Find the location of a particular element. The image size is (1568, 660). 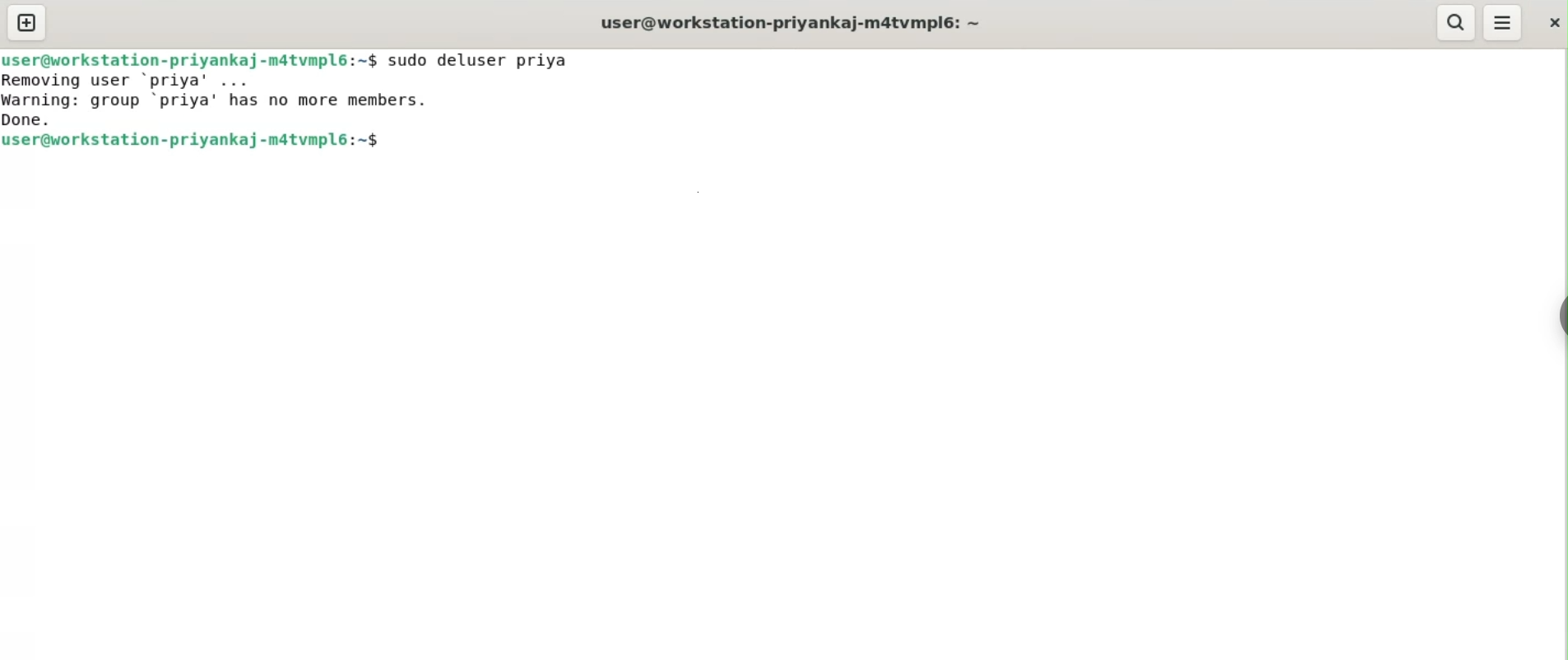

close is located at coordinates (1549, 24).